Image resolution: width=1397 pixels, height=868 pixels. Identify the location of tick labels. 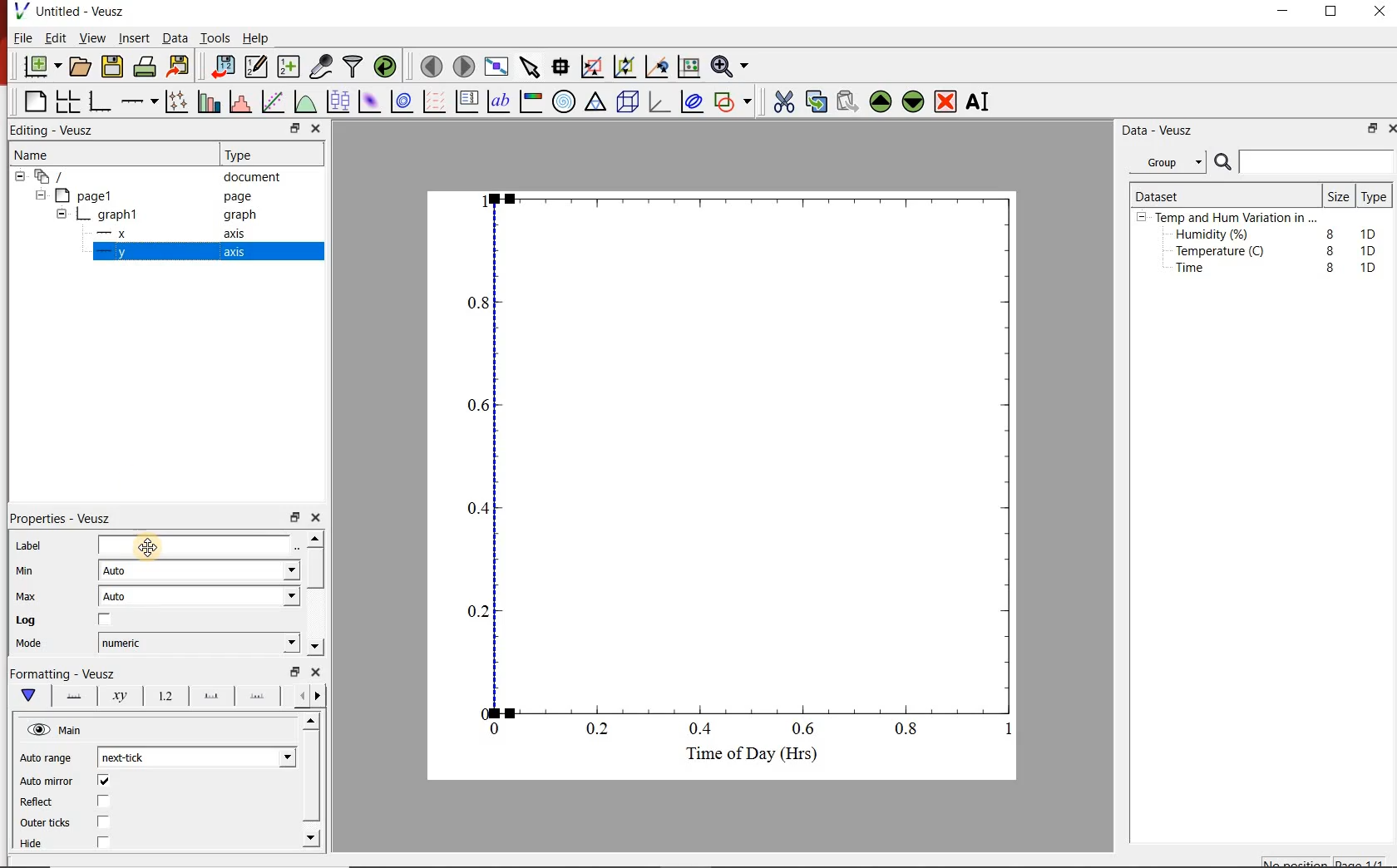
(165, 696).